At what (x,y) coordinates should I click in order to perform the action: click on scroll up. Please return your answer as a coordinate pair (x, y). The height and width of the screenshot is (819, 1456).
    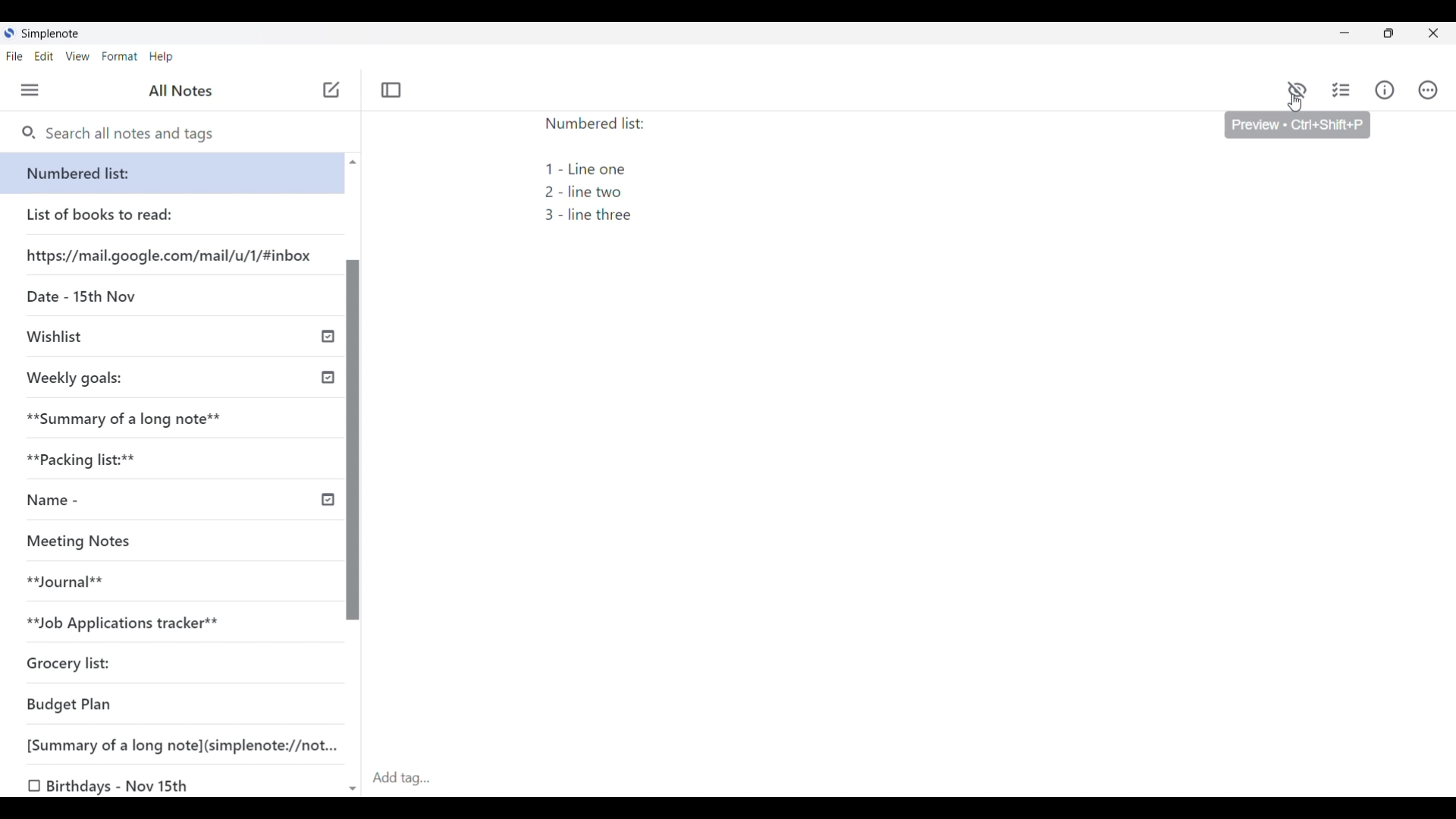
    Looking at the image, I should click on (353, 162).